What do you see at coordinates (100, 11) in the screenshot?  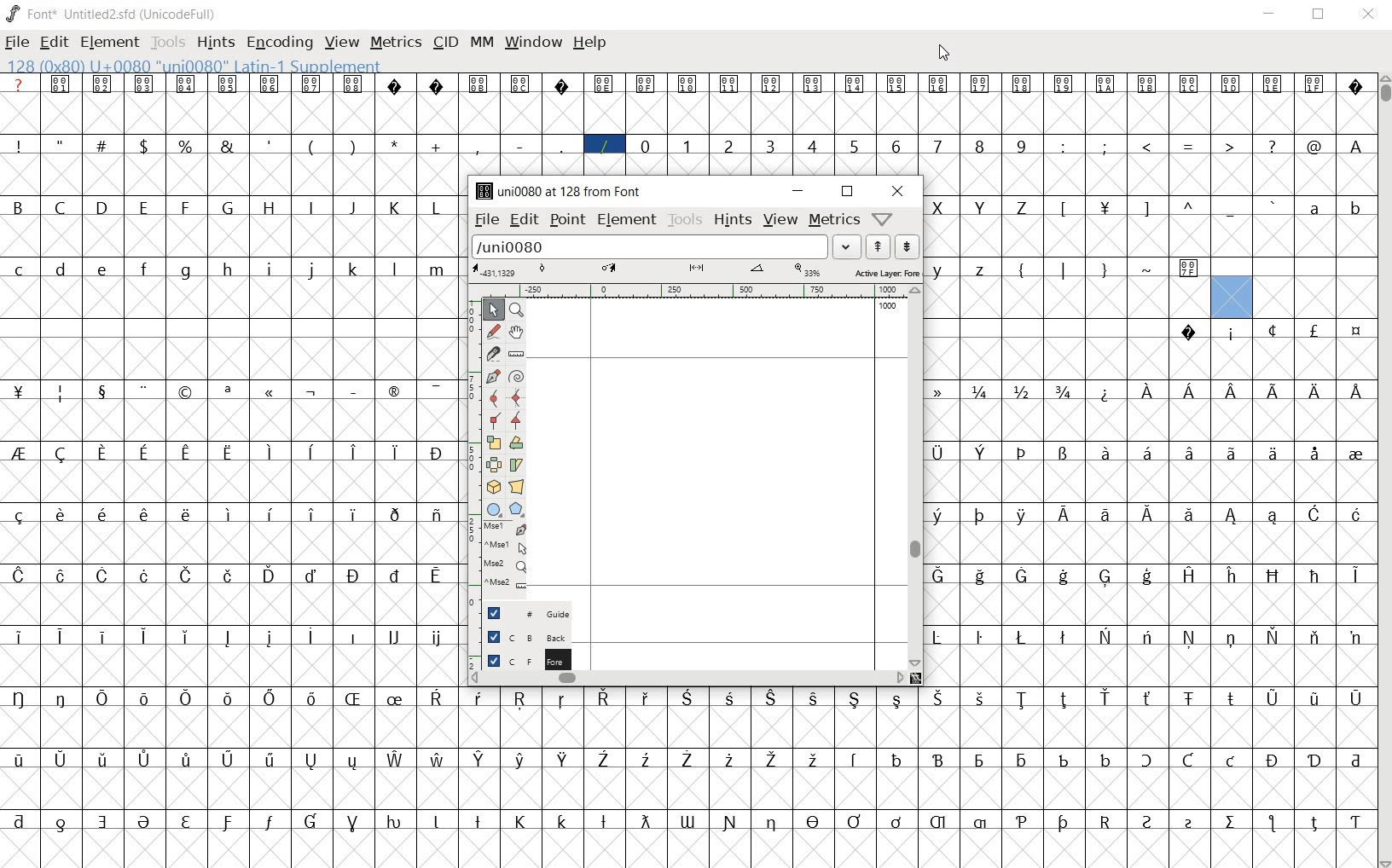 I see `font name` at bounding box center [100, 11].